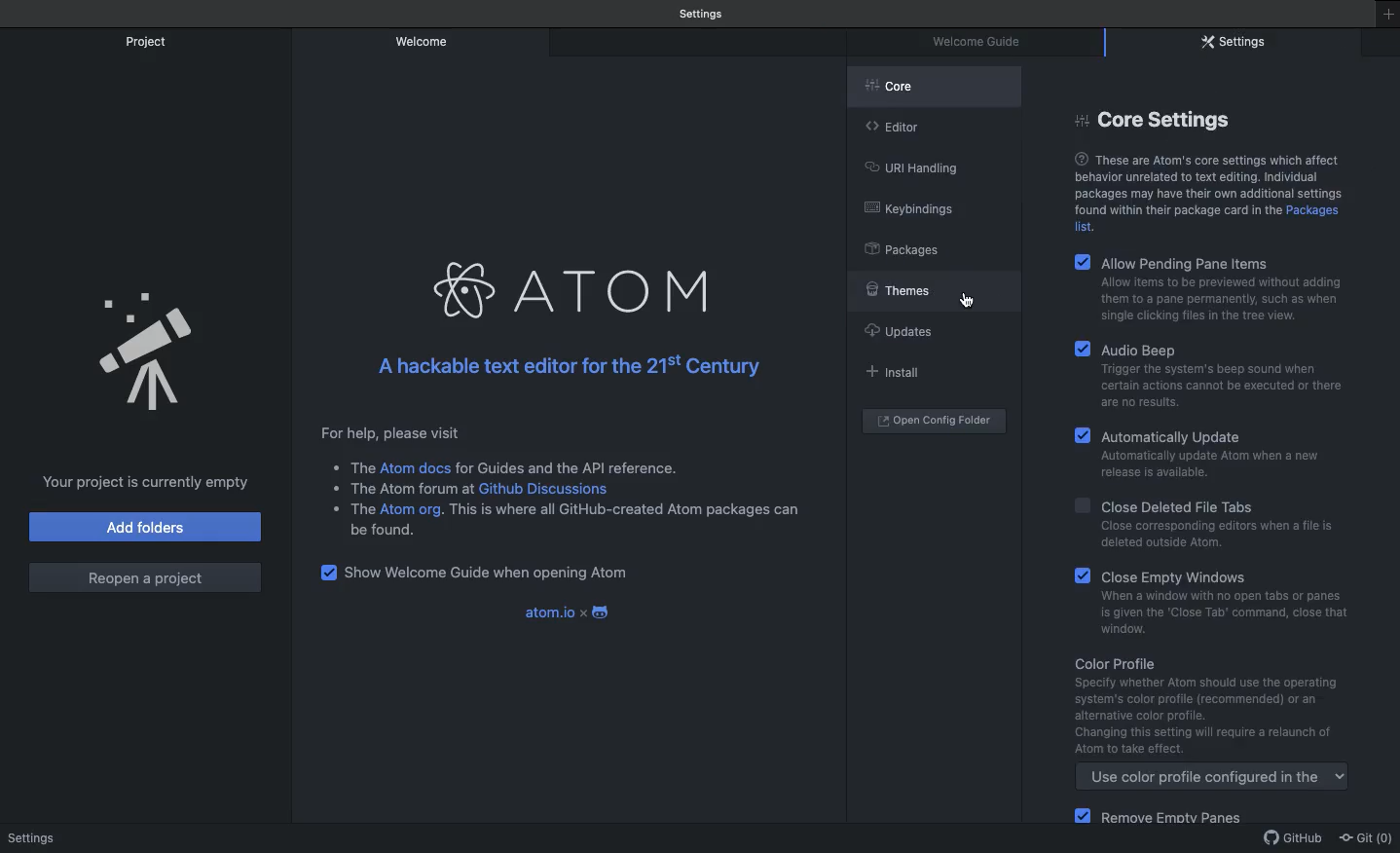  I want to click on Keybindings, so click(915, 209).